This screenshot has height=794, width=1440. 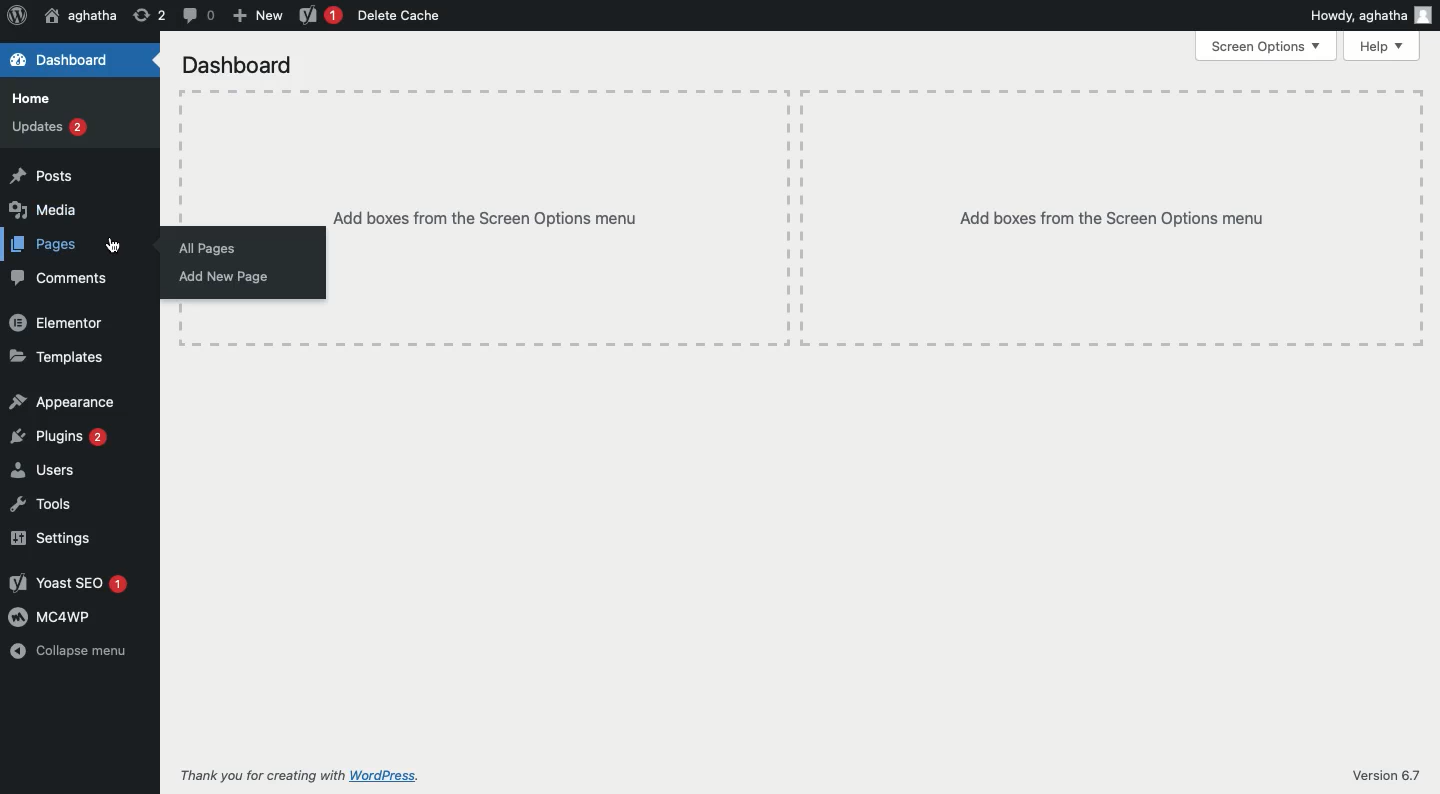 I want to click on Yoast, so click(x=66, y=583).